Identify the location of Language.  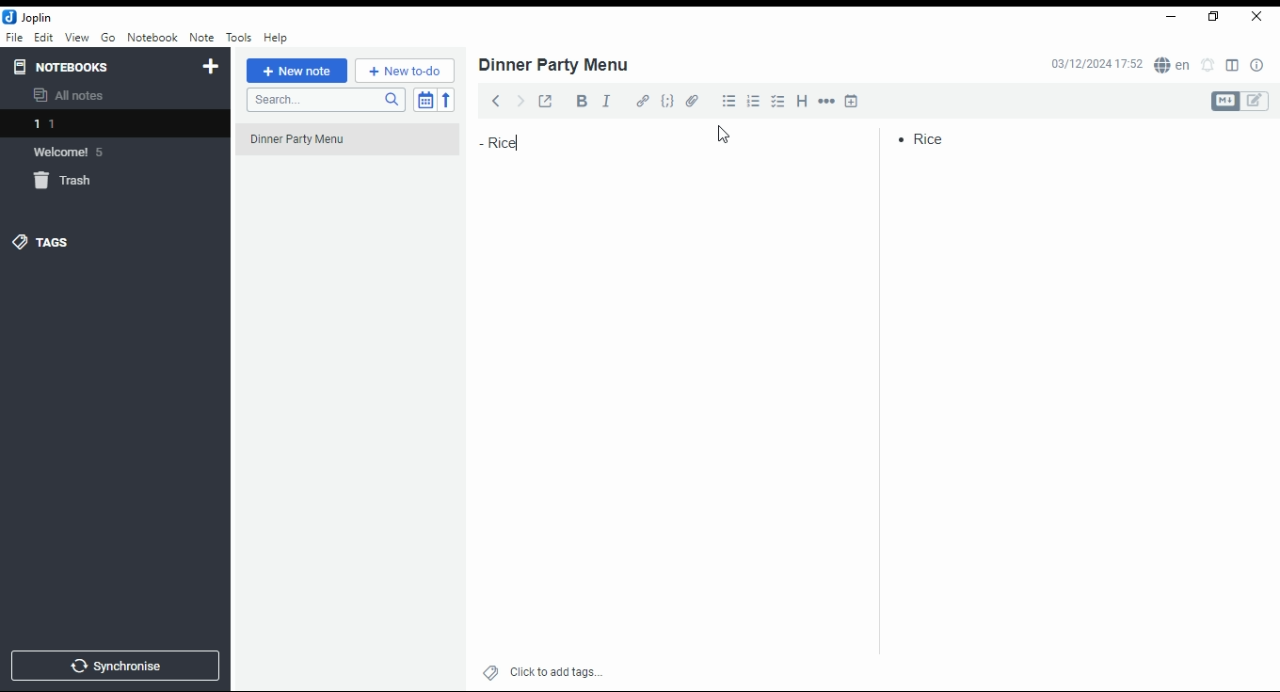
(1171, 65).